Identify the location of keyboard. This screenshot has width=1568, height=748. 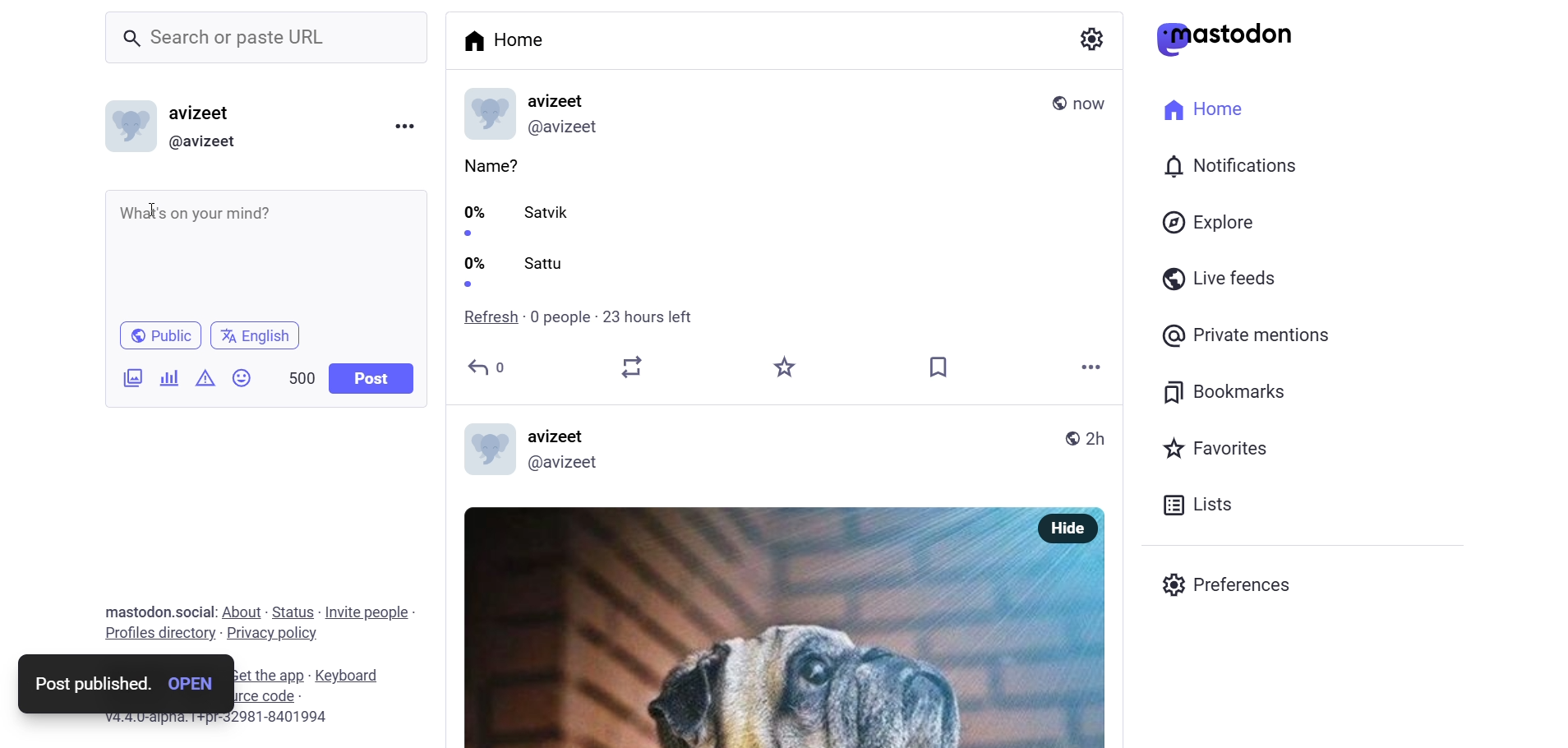
(354, 676).